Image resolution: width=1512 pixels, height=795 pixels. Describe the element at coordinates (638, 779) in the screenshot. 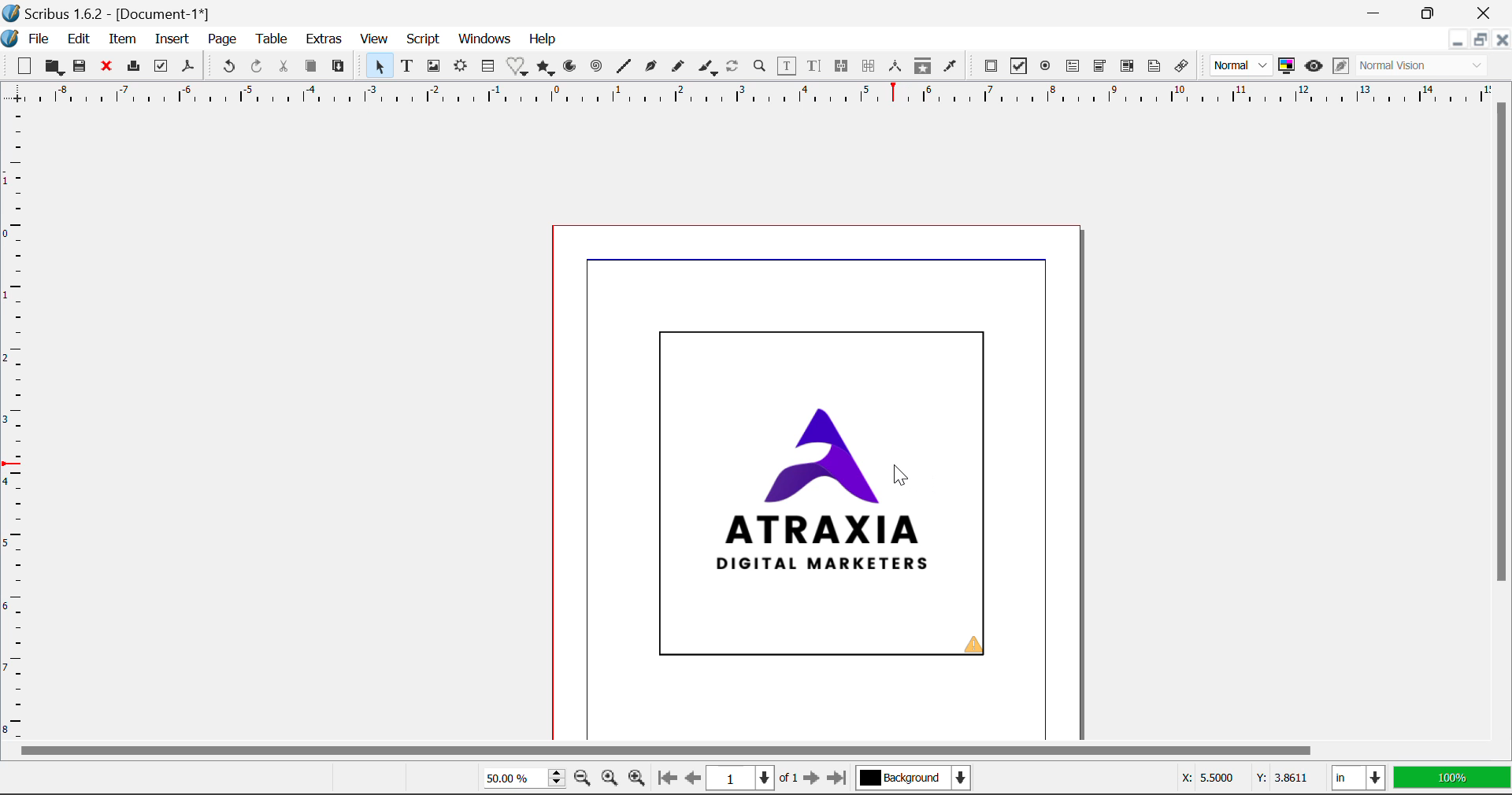

I see `Zoom in` at that location.